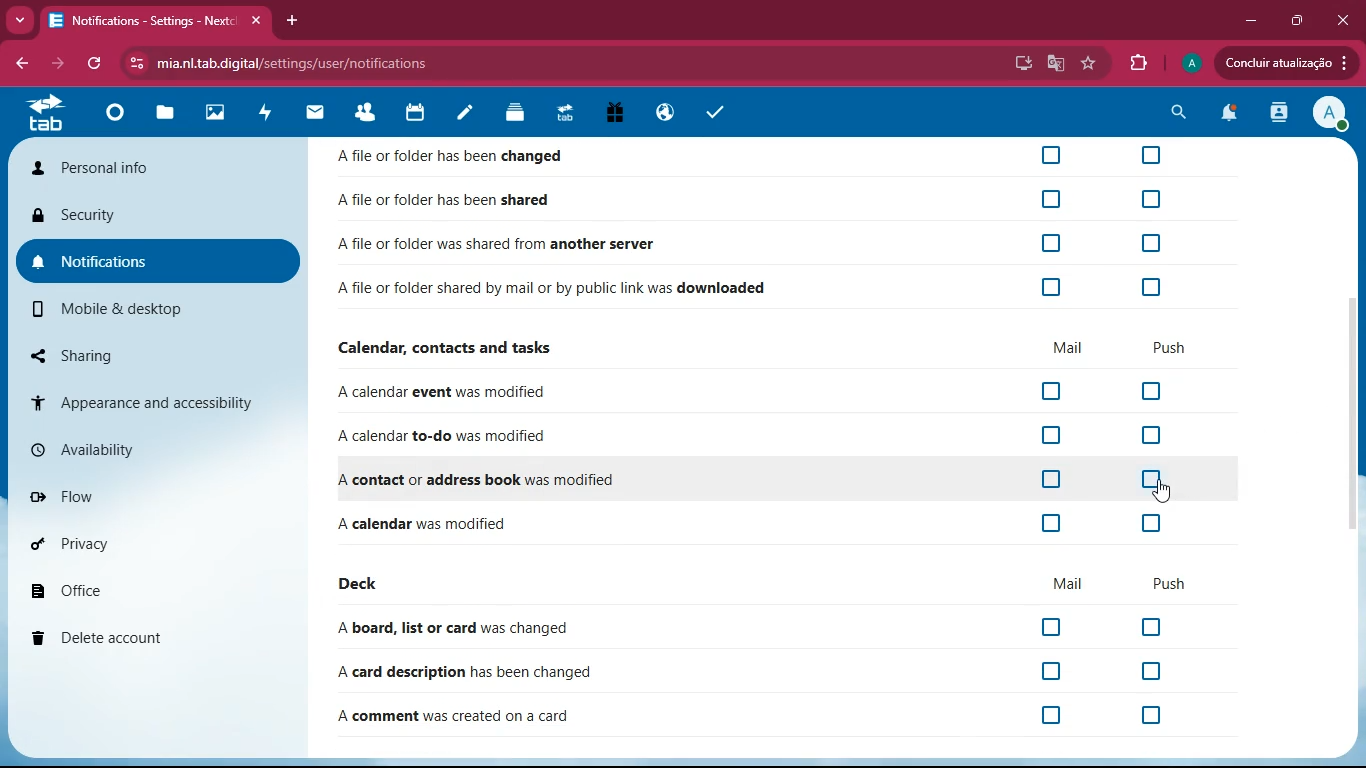 Image resolution: width=1366 pixels, height=768 pixels. What do you see at coordinates (20, 19) in the screenshot?
I see `more` at bounding box center [20, 19].